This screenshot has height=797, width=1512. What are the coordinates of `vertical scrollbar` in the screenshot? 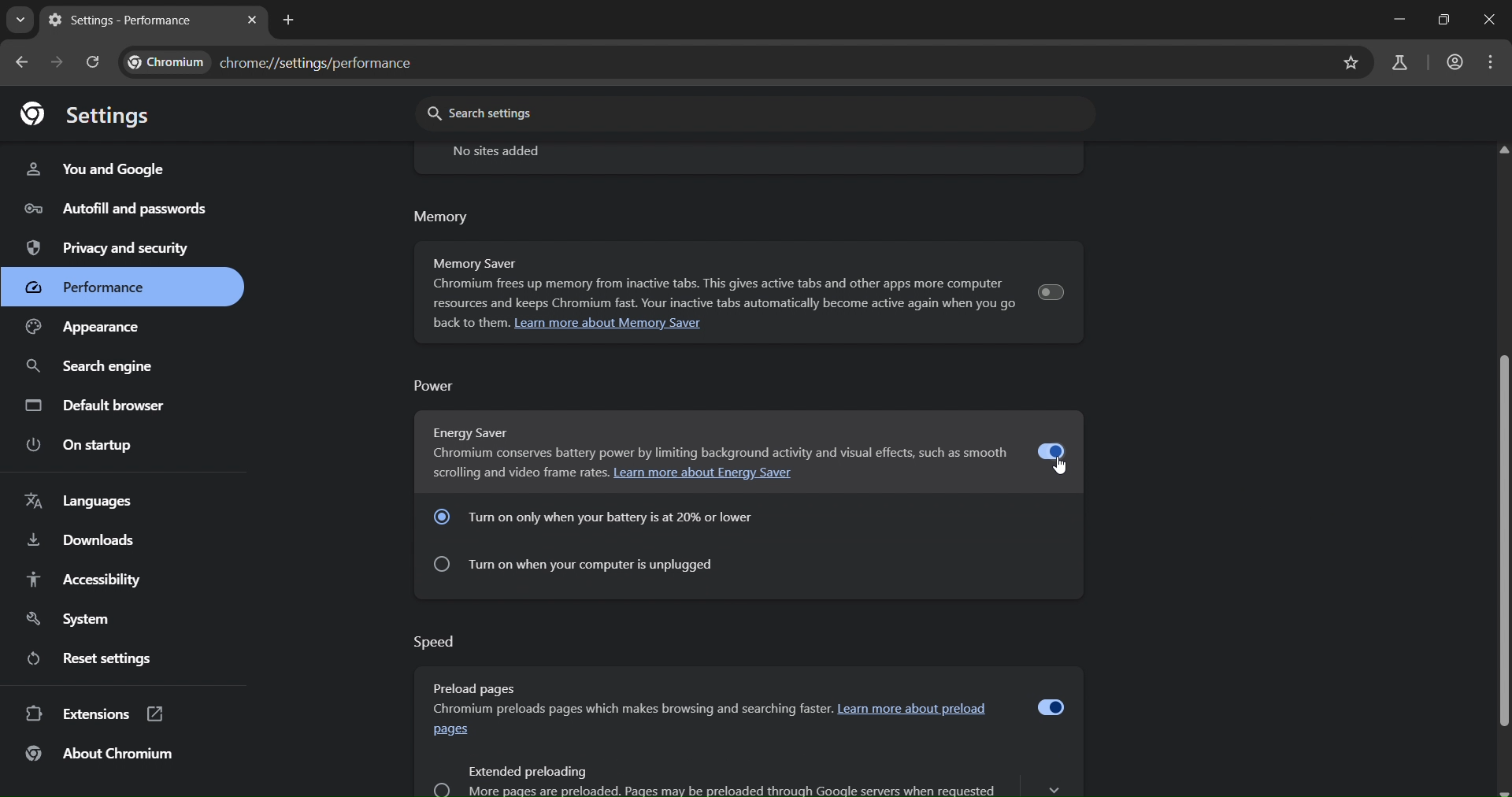 It's located at (1503, 486).